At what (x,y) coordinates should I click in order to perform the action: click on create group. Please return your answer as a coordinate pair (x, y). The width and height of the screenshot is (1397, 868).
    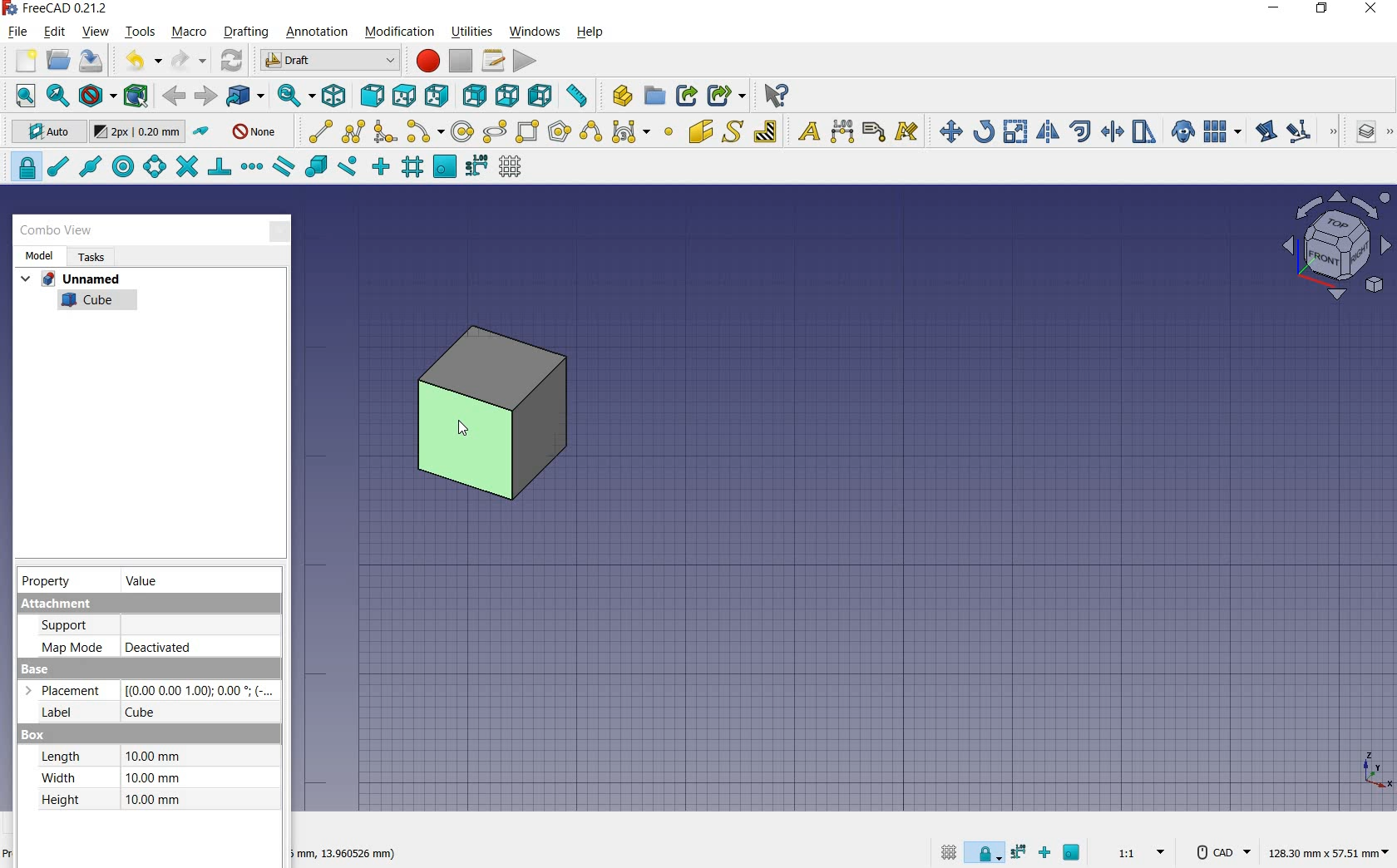
    Looking at the image, I should click on (654, 96).